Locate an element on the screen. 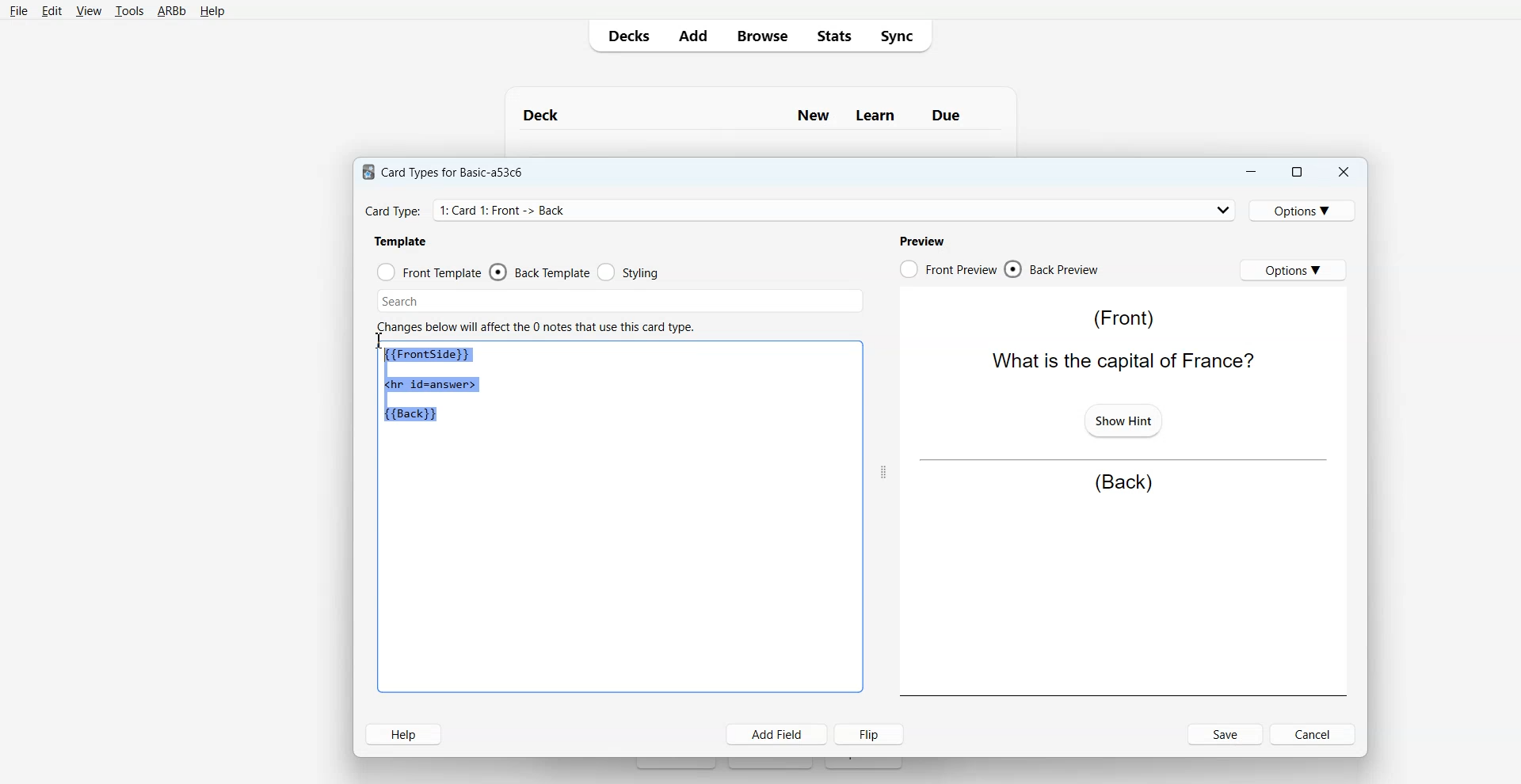 The image size is (1521, 784). Add is located at coordinates (692, 36).